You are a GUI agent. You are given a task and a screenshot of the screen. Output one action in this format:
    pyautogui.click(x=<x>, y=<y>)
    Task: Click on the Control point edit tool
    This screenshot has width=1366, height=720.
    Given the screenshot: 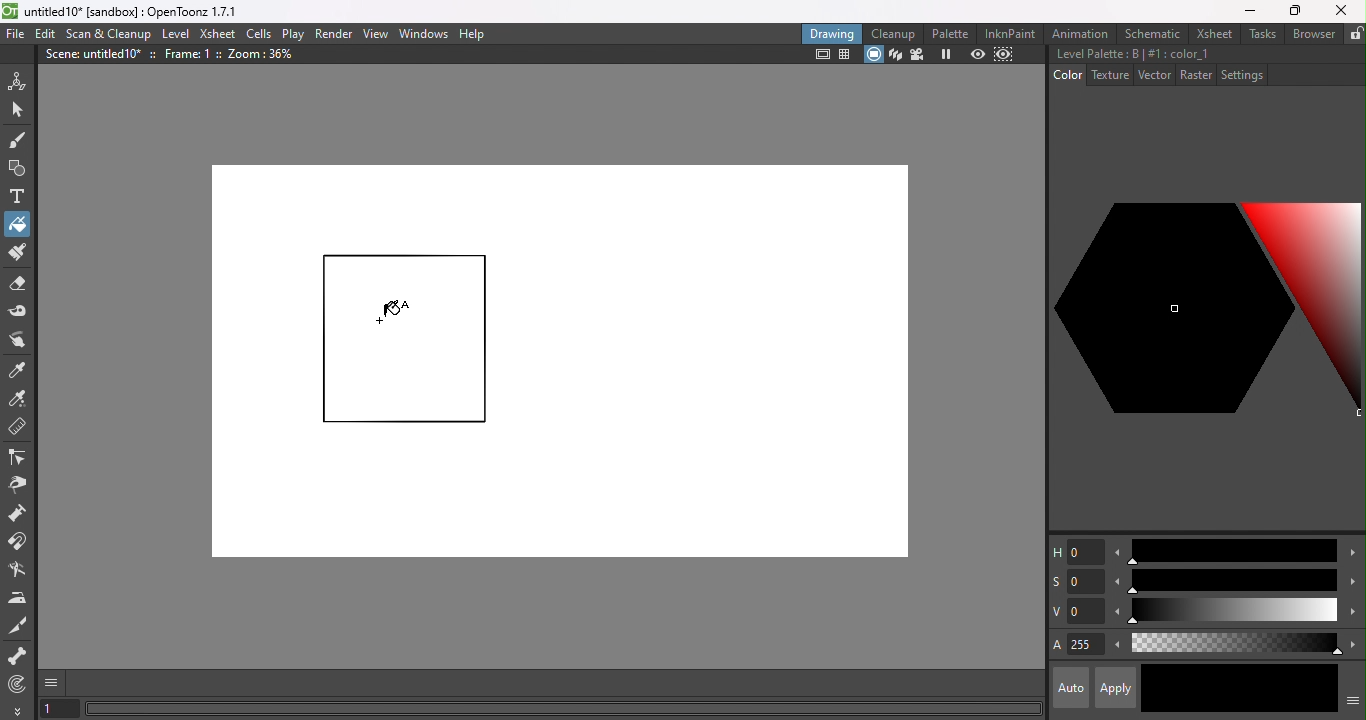 What is the action you would take?
    pyautogui.click(x=20, y=456)
    